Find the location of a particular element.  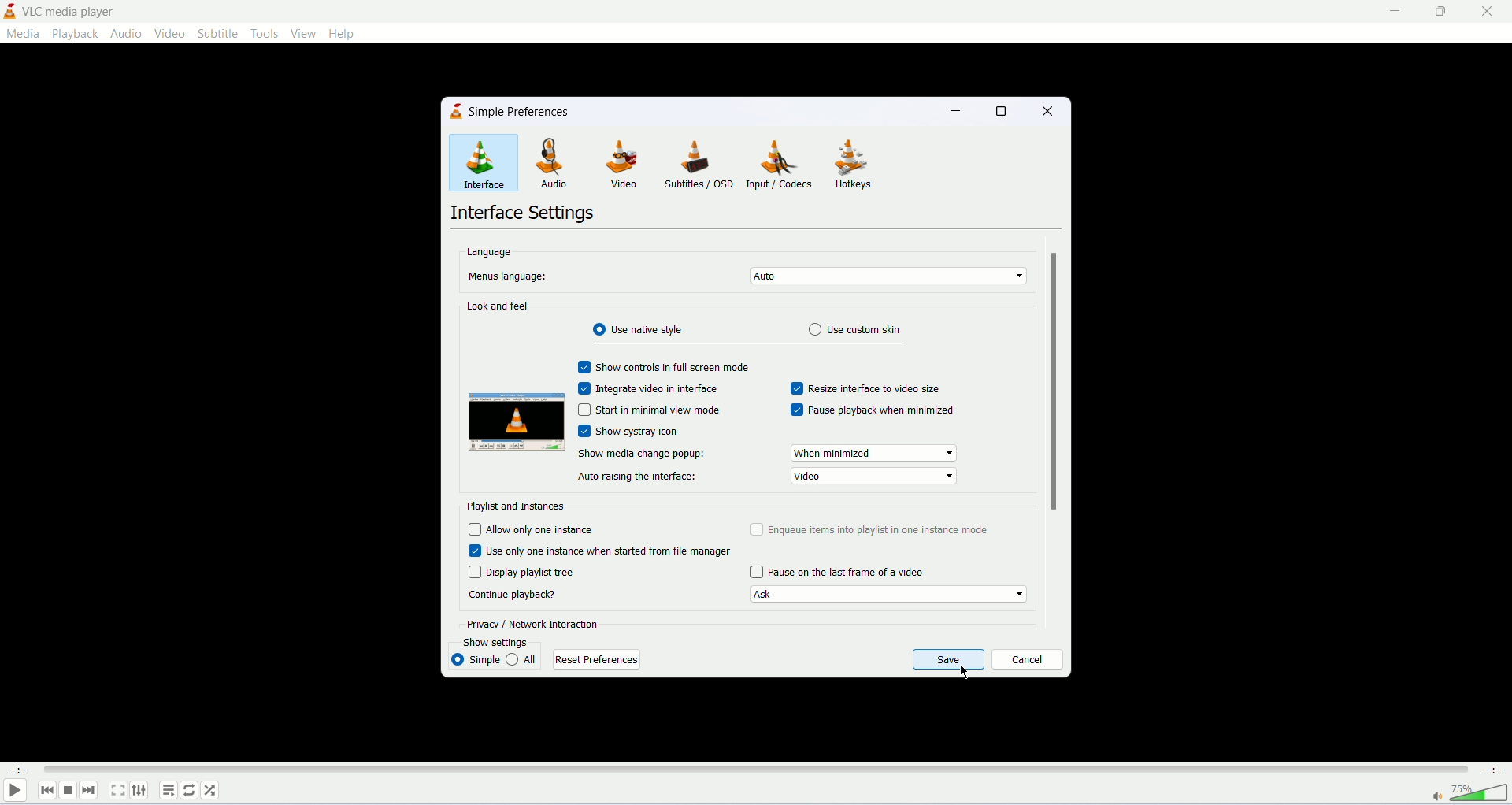

check box is located at coordinates (798, 389).